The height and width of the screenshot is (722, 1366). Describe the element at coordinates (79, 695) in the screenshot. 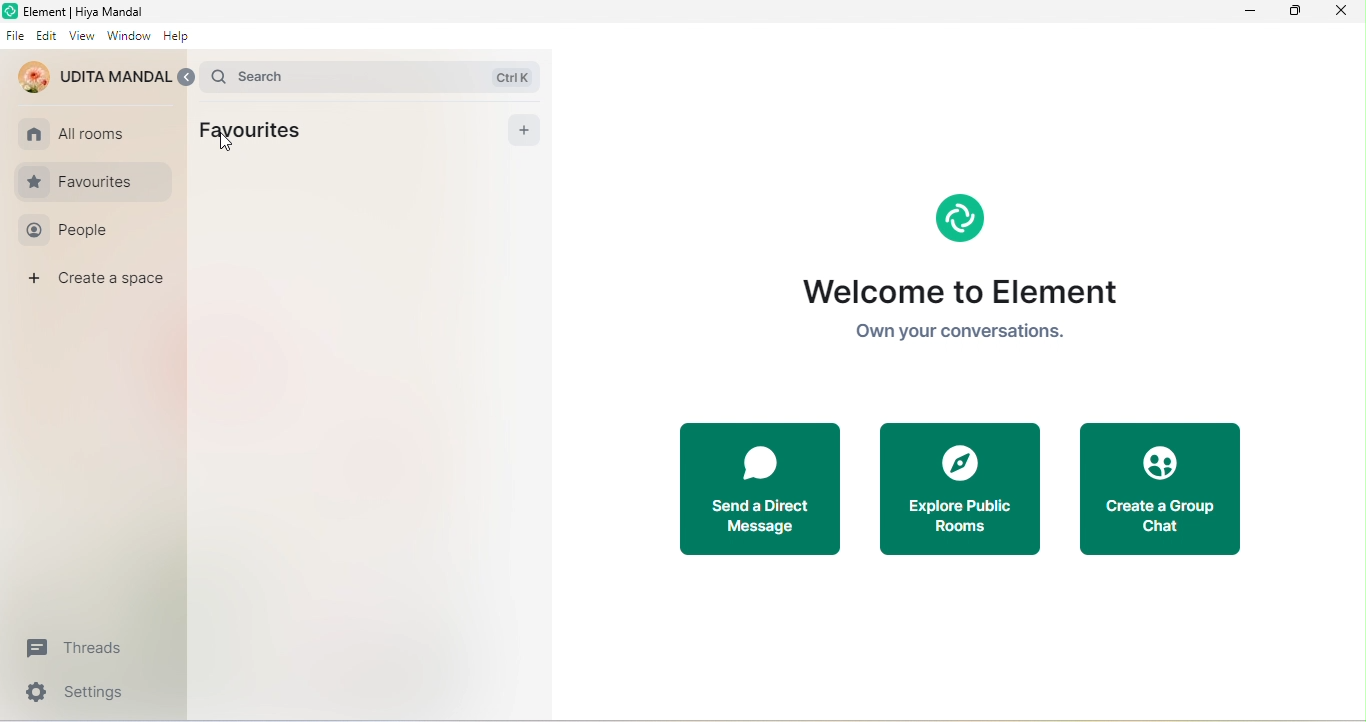

I see `seeting` at that location.